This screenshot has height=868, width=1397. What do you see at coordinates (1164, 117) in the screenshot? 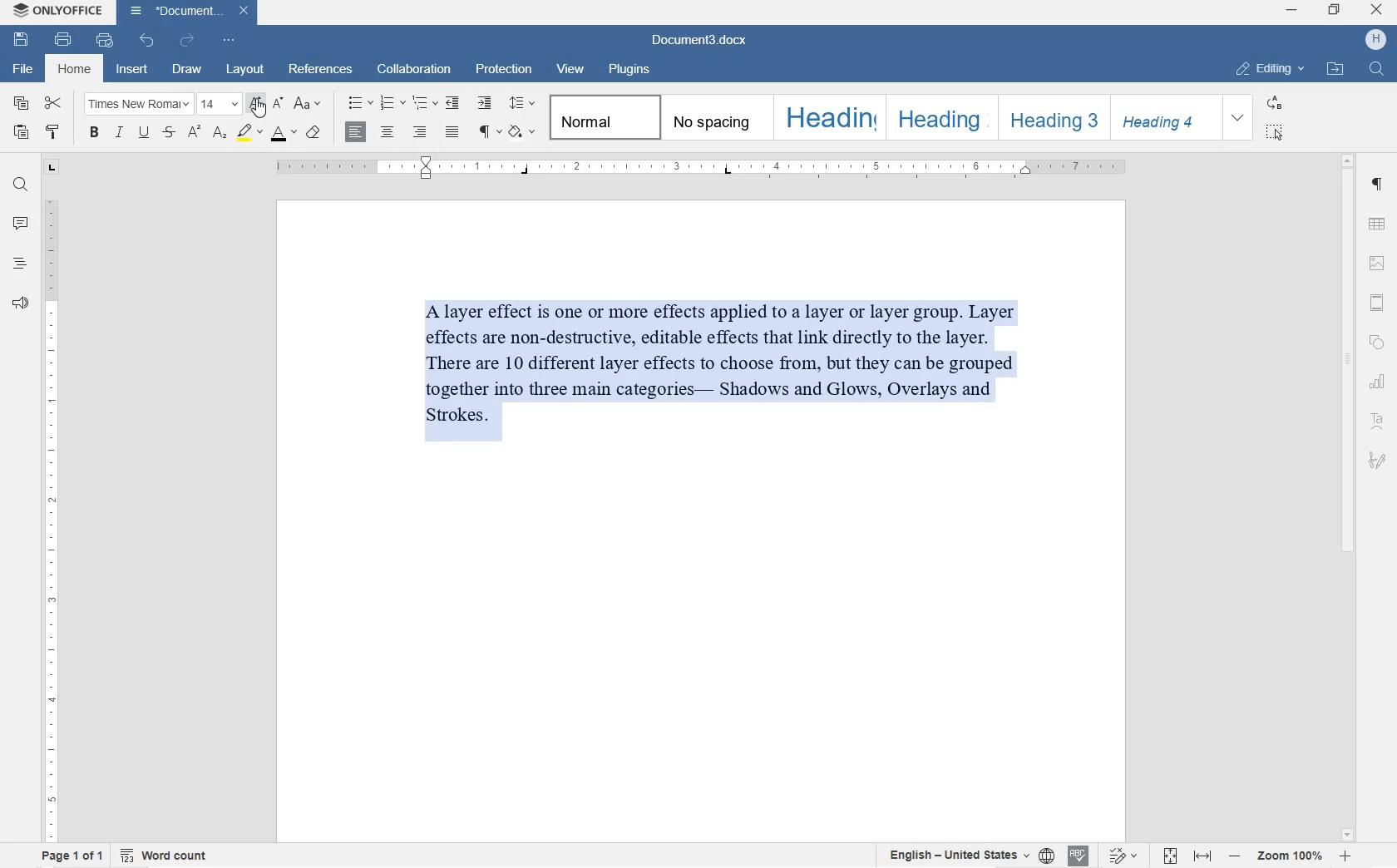
I see `HEADING 4` at bounding box center [1164, 117].